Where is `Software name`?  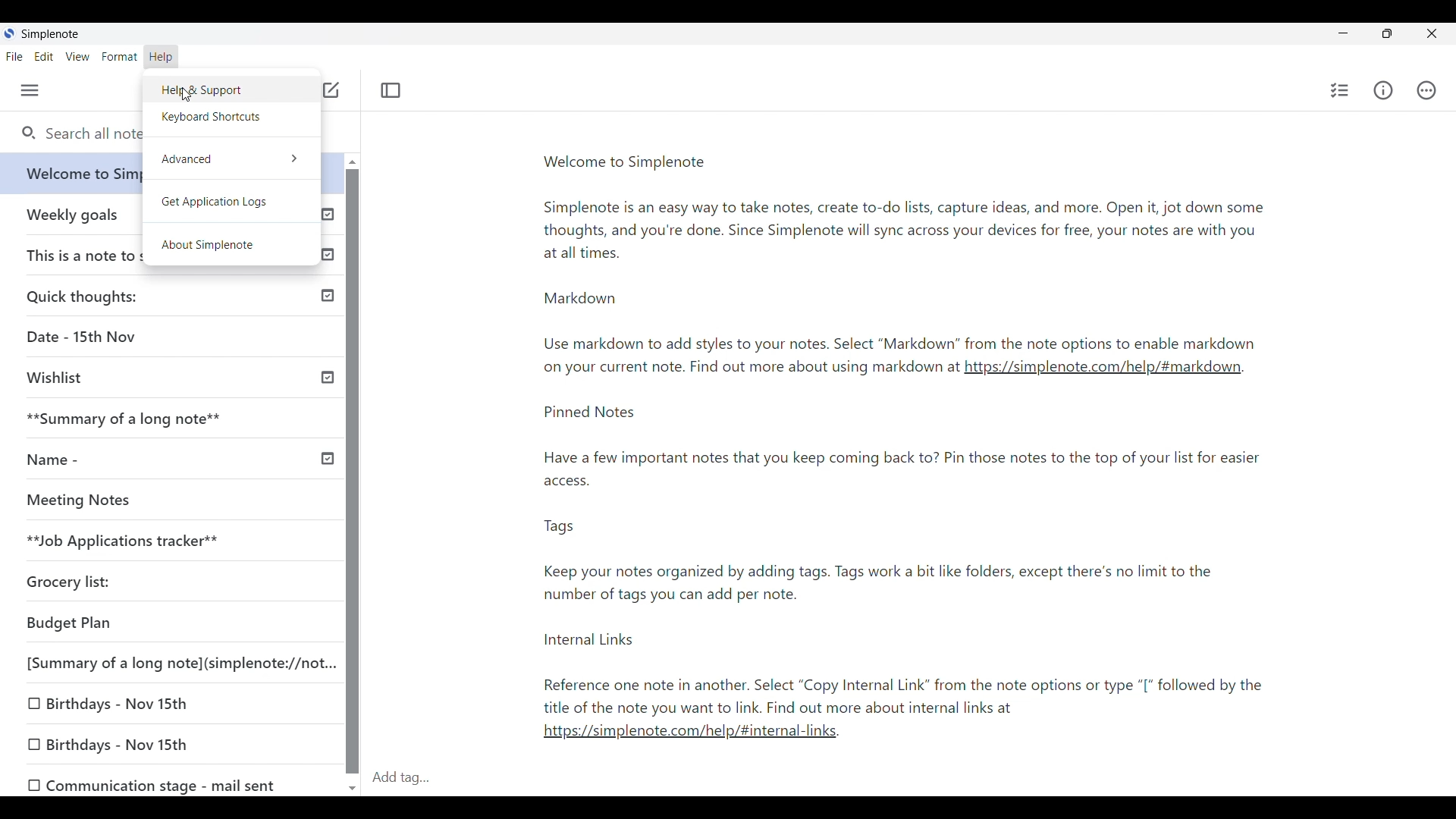
Software name is located at coordinates (49, 35).